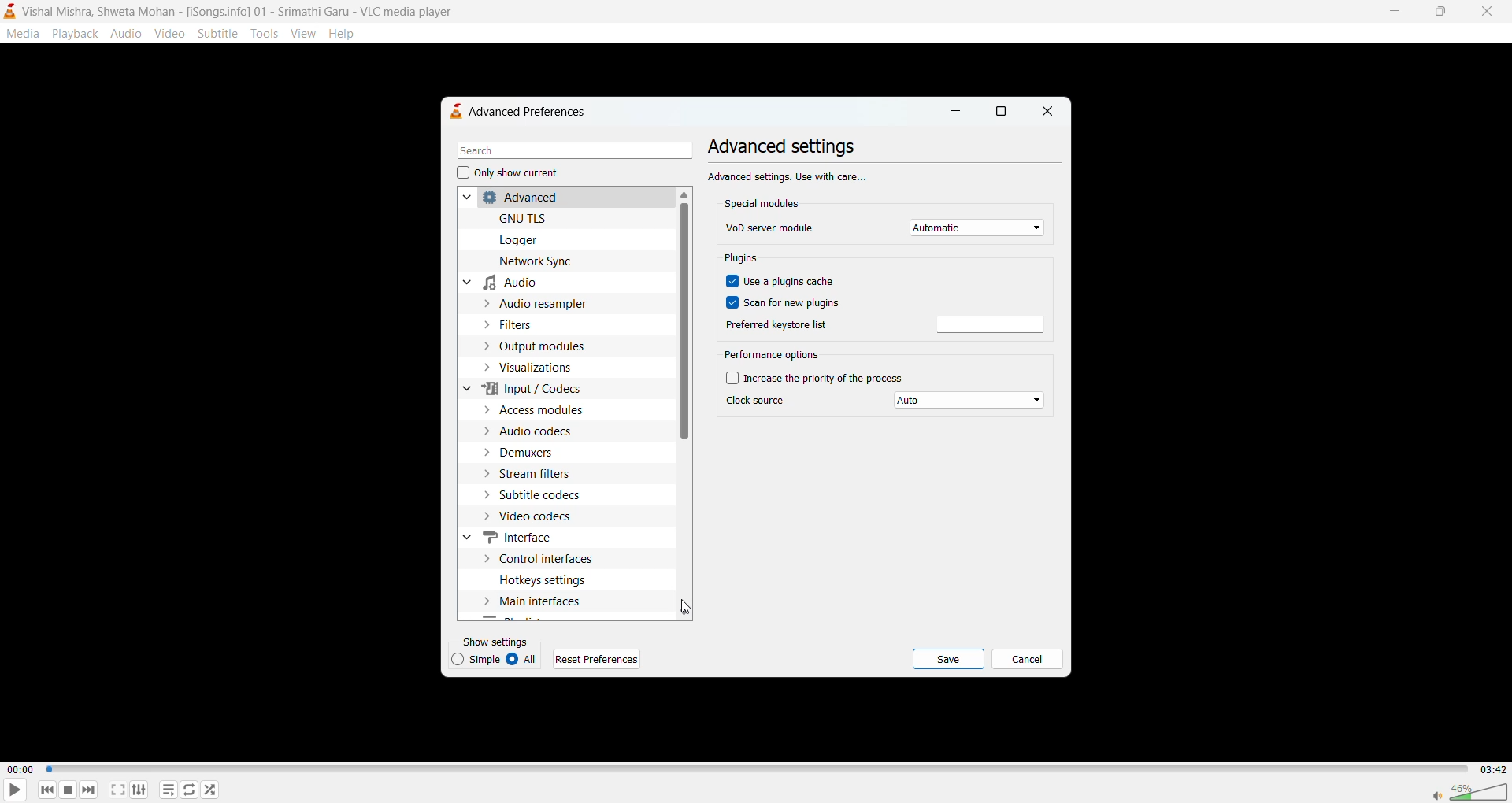  Describe the element at coordinates (569, 151) in the screenshot. I see `search` at that location.